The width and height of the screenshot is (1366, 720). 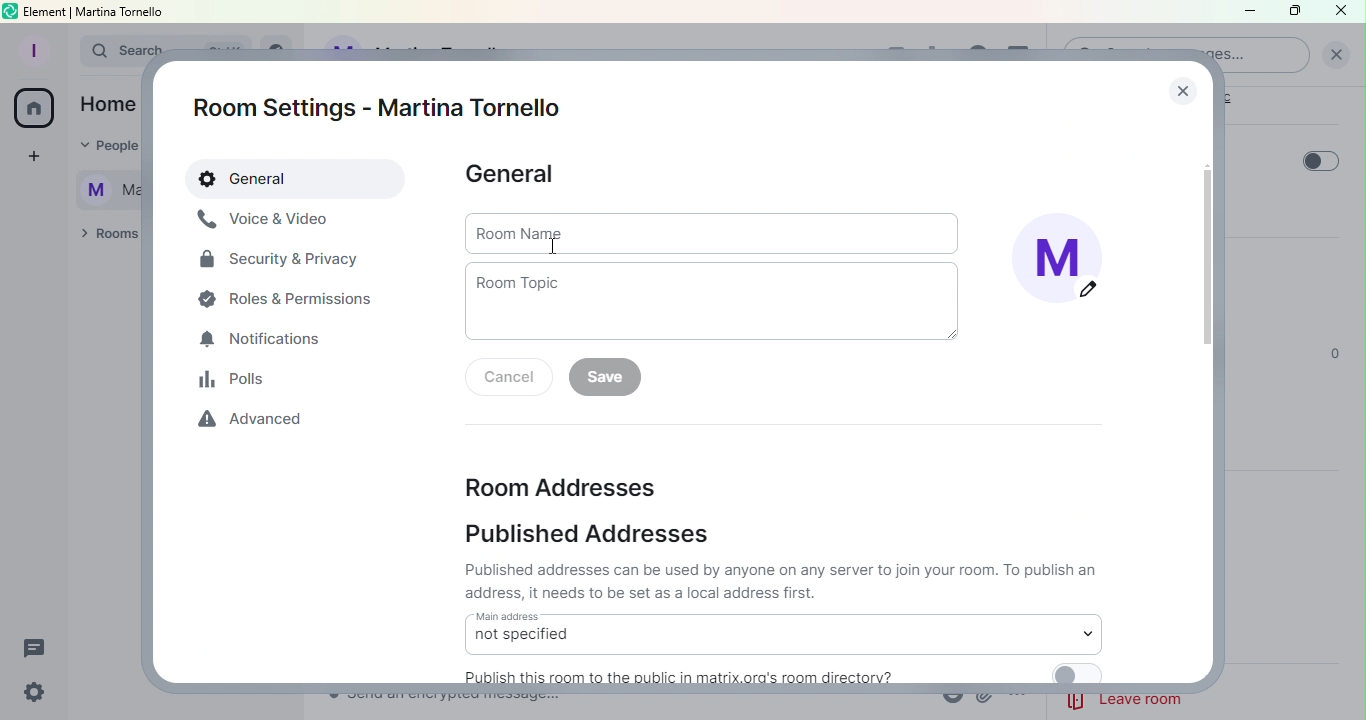 I want to click on Roles and permissions, so click(x=291, y=298).